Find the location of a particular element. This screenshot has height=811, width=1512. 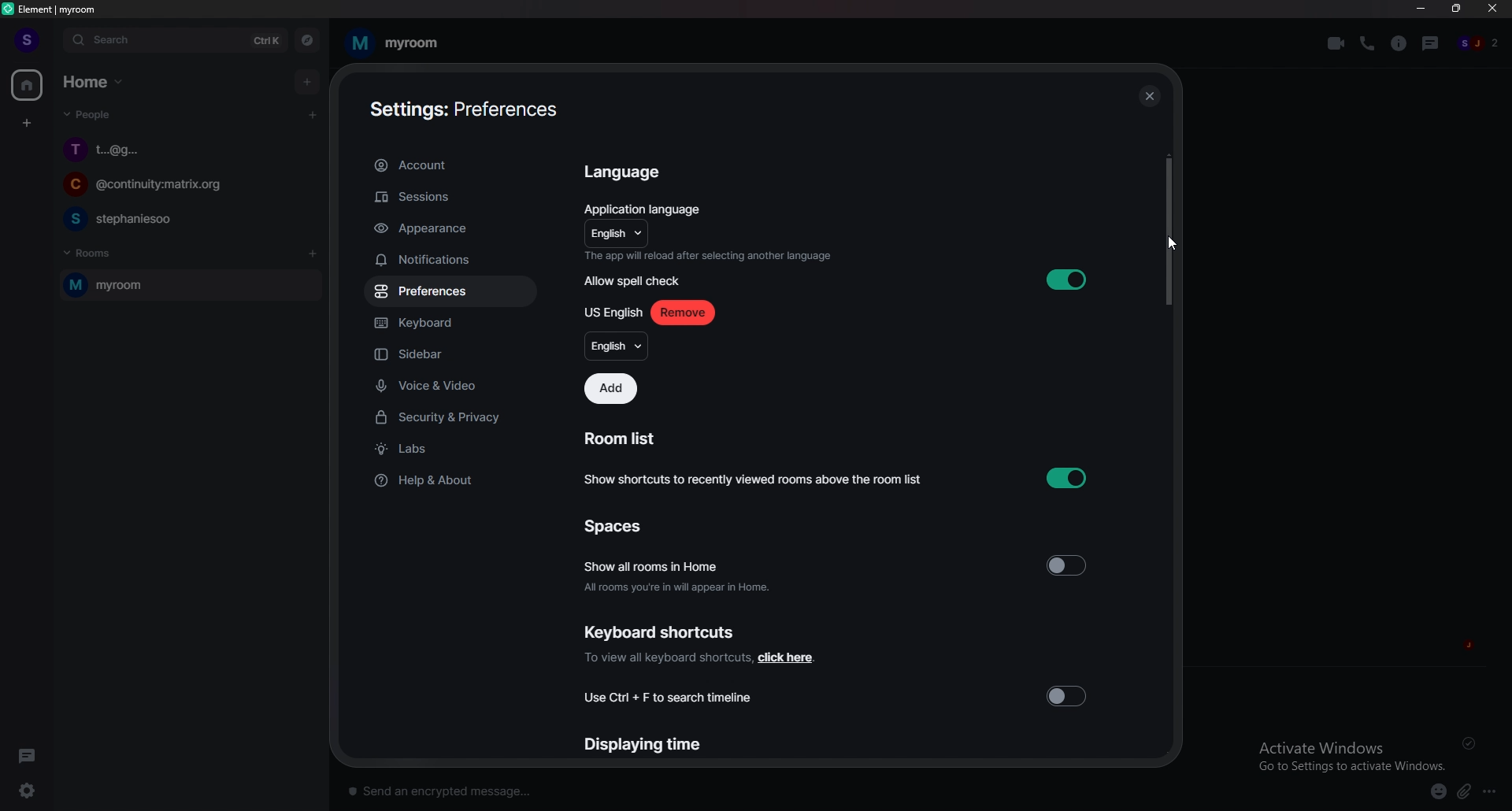

show shortcuts to recently viewed rooms is located at coordinates (833, 477).